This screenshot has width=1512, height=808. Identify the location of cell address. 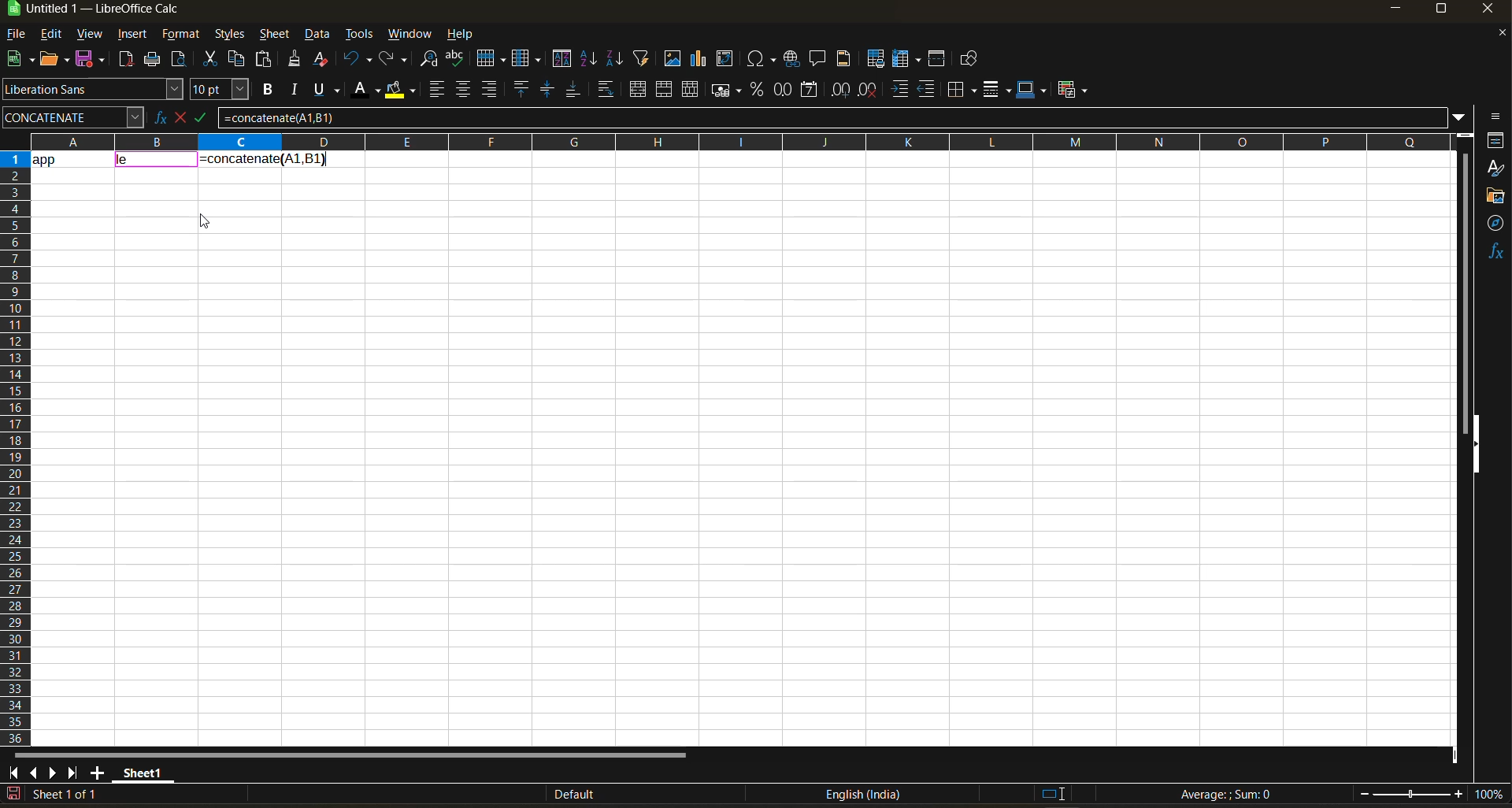
(72, 117).